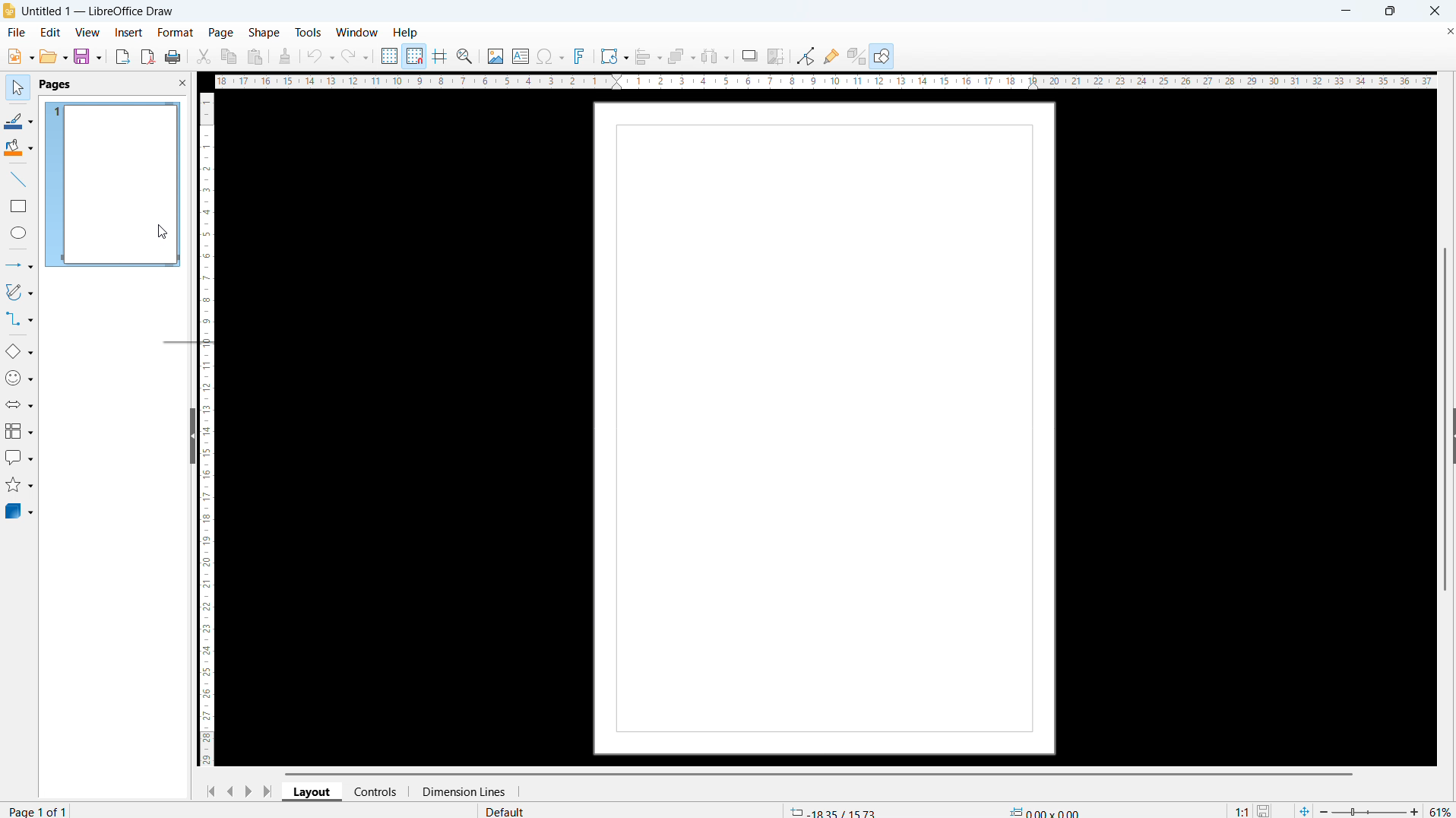 The image size is (1456, 818). Describe the element at coordinates (228, 55) in the screenshot. I see `copy` at that location.